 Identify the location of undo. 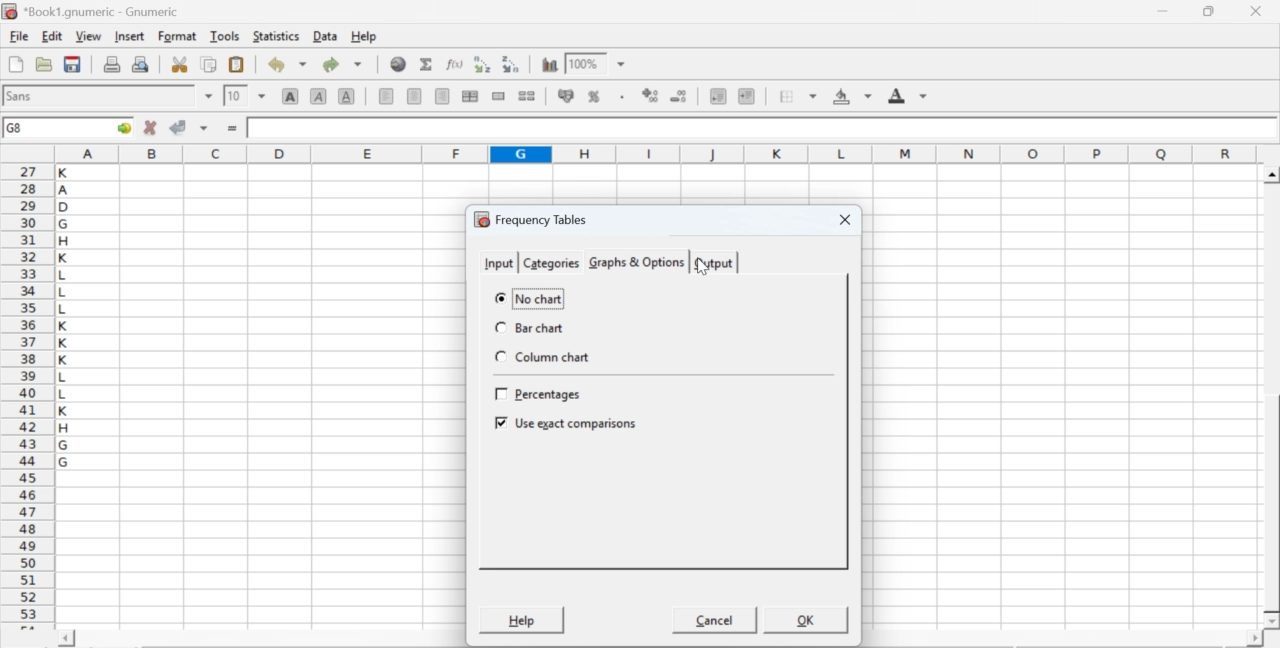
(286, 65).